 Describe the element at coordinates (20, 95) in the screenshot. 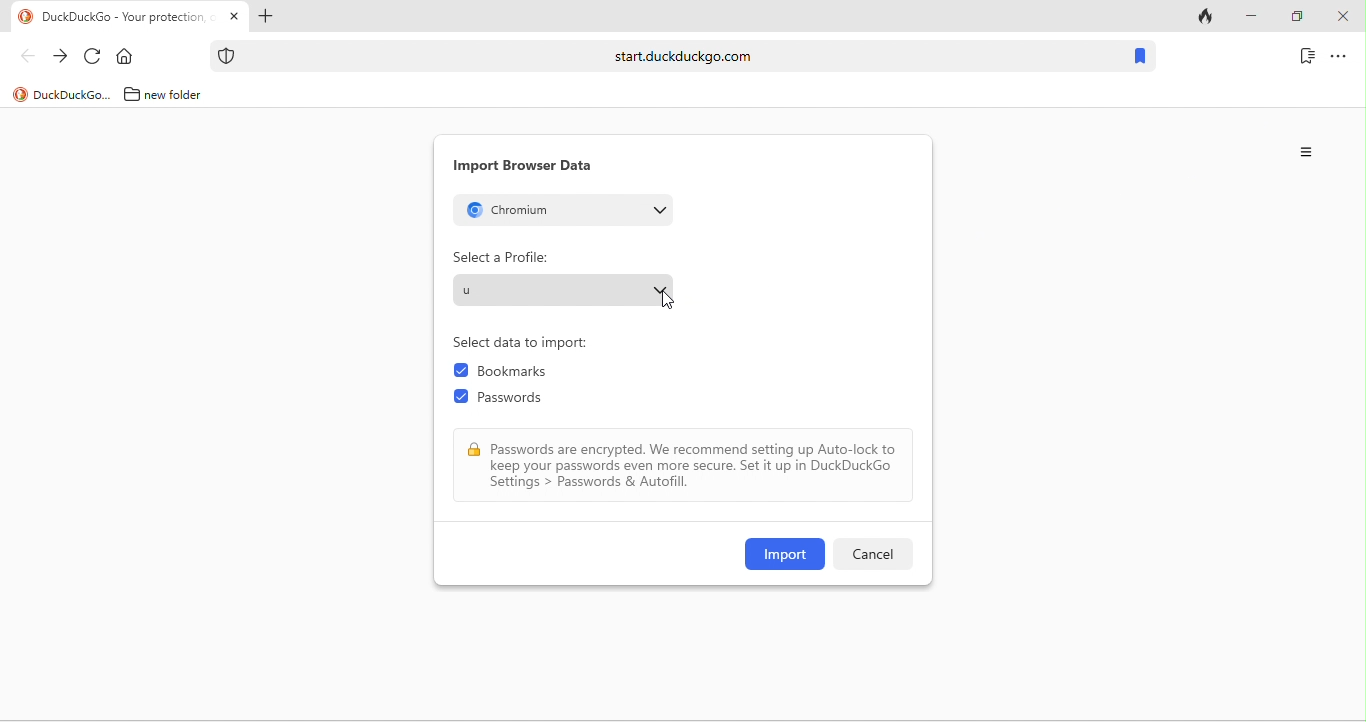

I see `icon` at that location.